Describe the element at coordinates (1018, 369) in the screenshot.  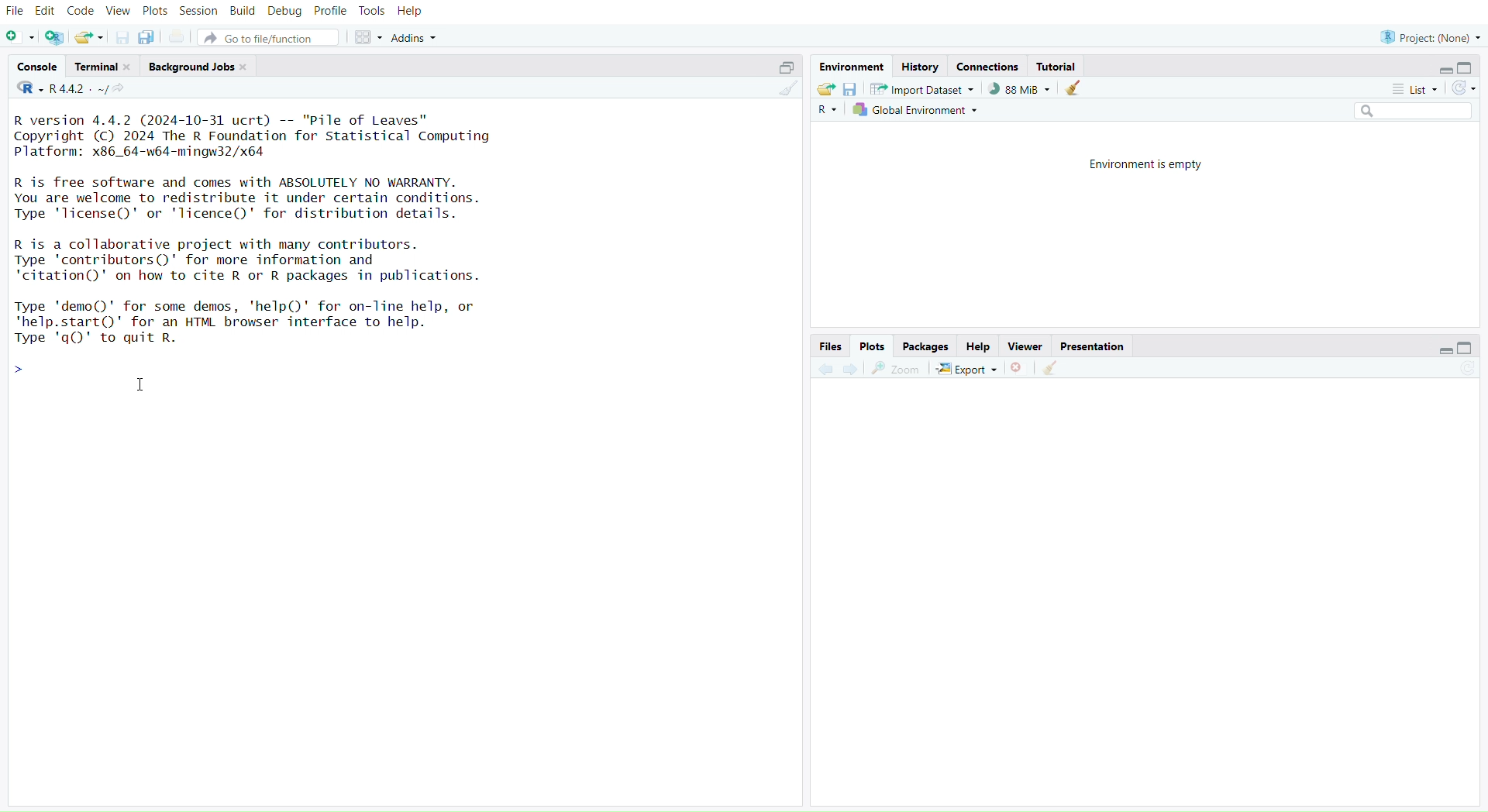
I see `remove current plot` at that location.